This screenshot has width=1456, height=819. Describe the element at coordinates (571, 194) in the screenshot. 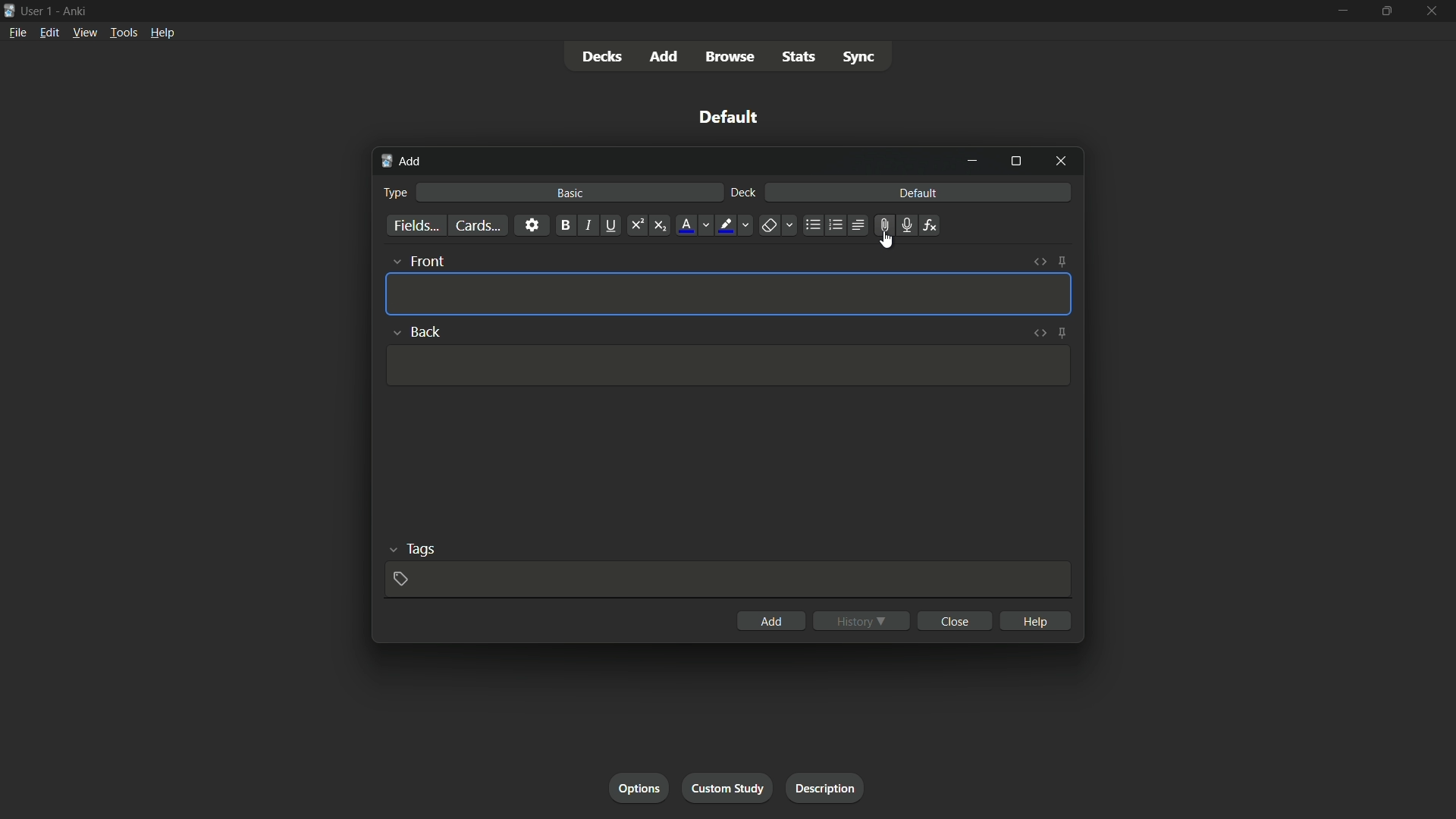

I see `basic` at that location.